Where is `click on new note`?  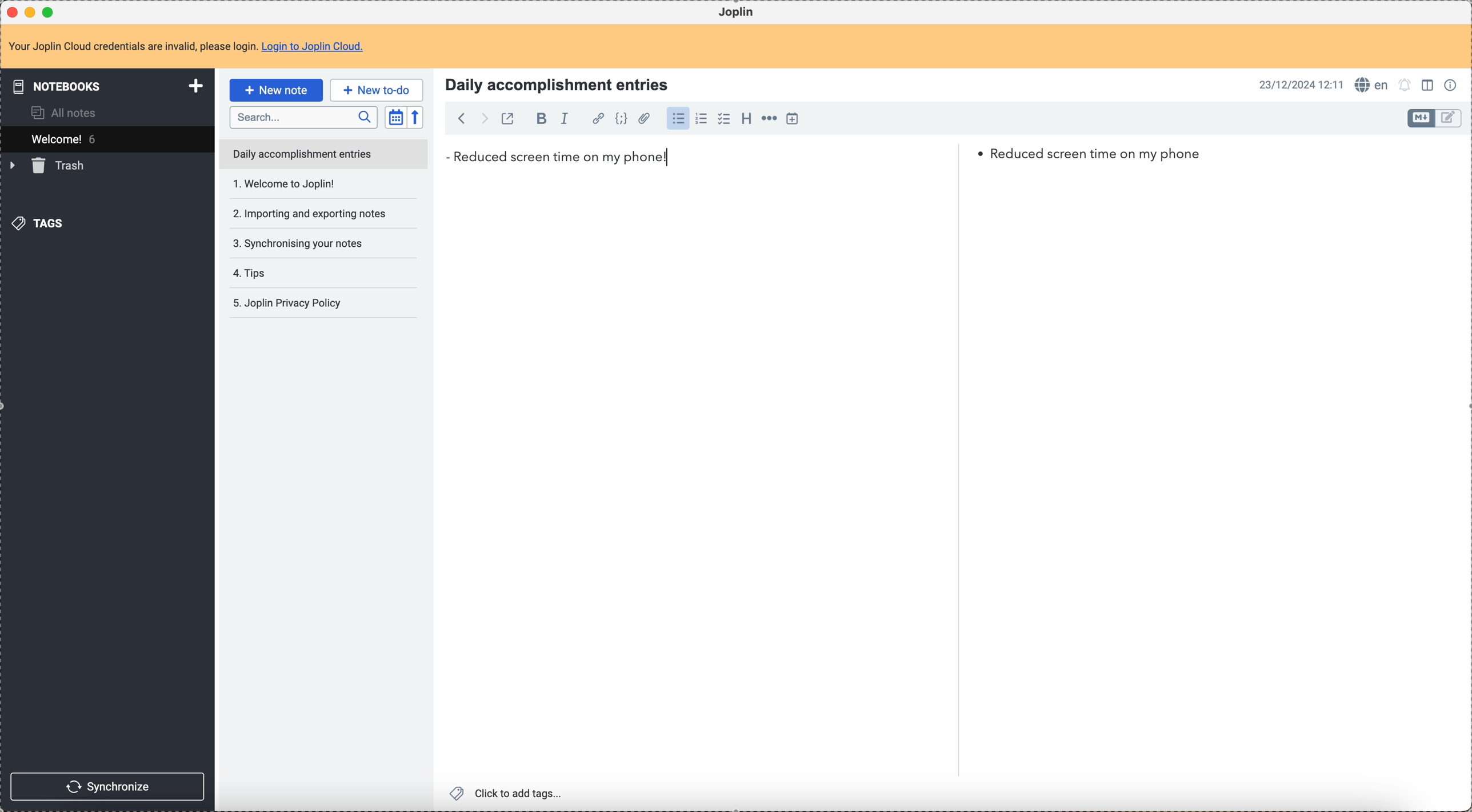 click on new note is located at coordinates (275, 90).